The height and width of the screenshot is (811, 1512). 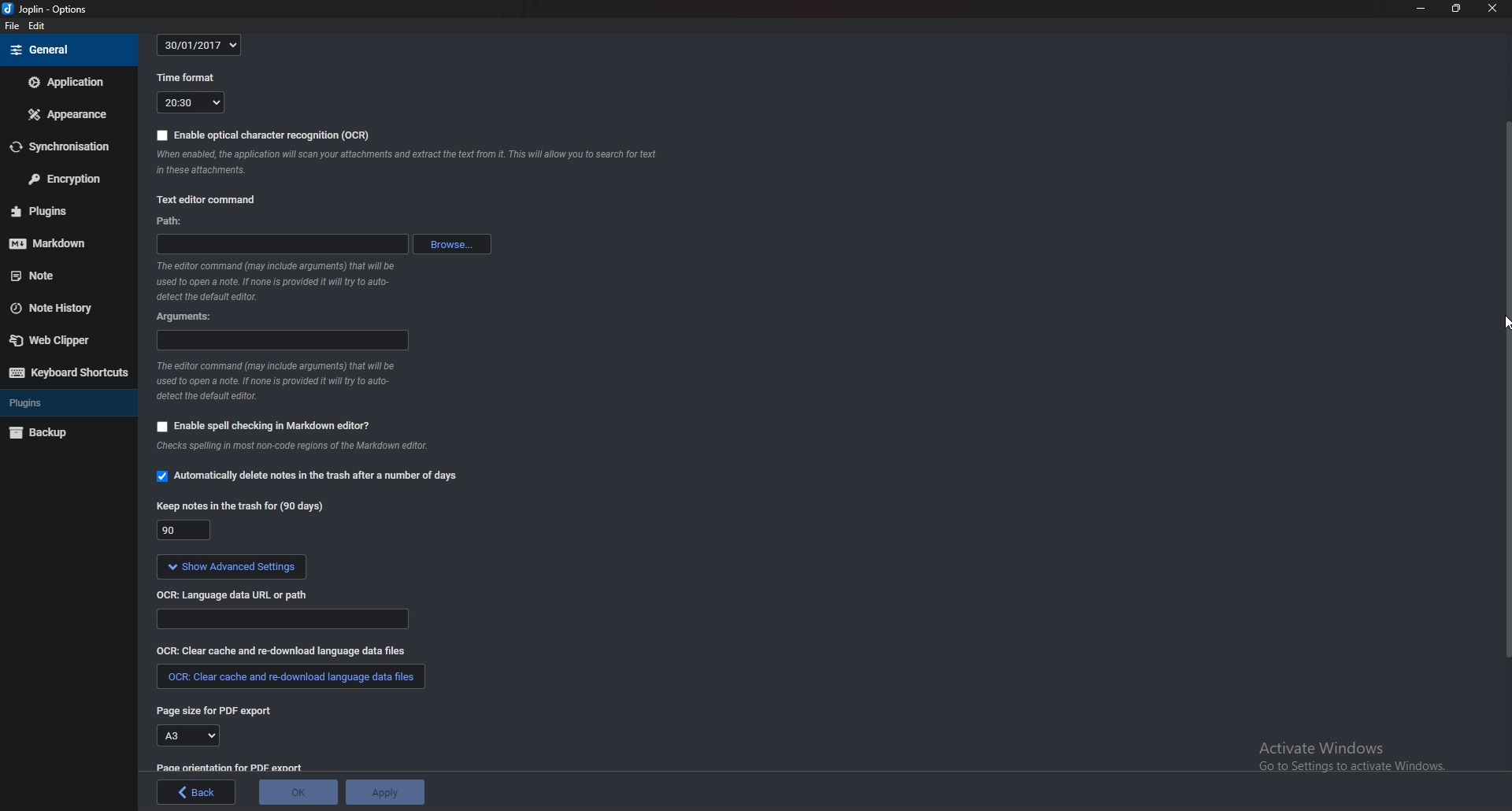 What do you see at coordinates (298, 652) in the screenshot?
I see `O C R clear cash and redownload language data files` at bounding box center [298, 652].